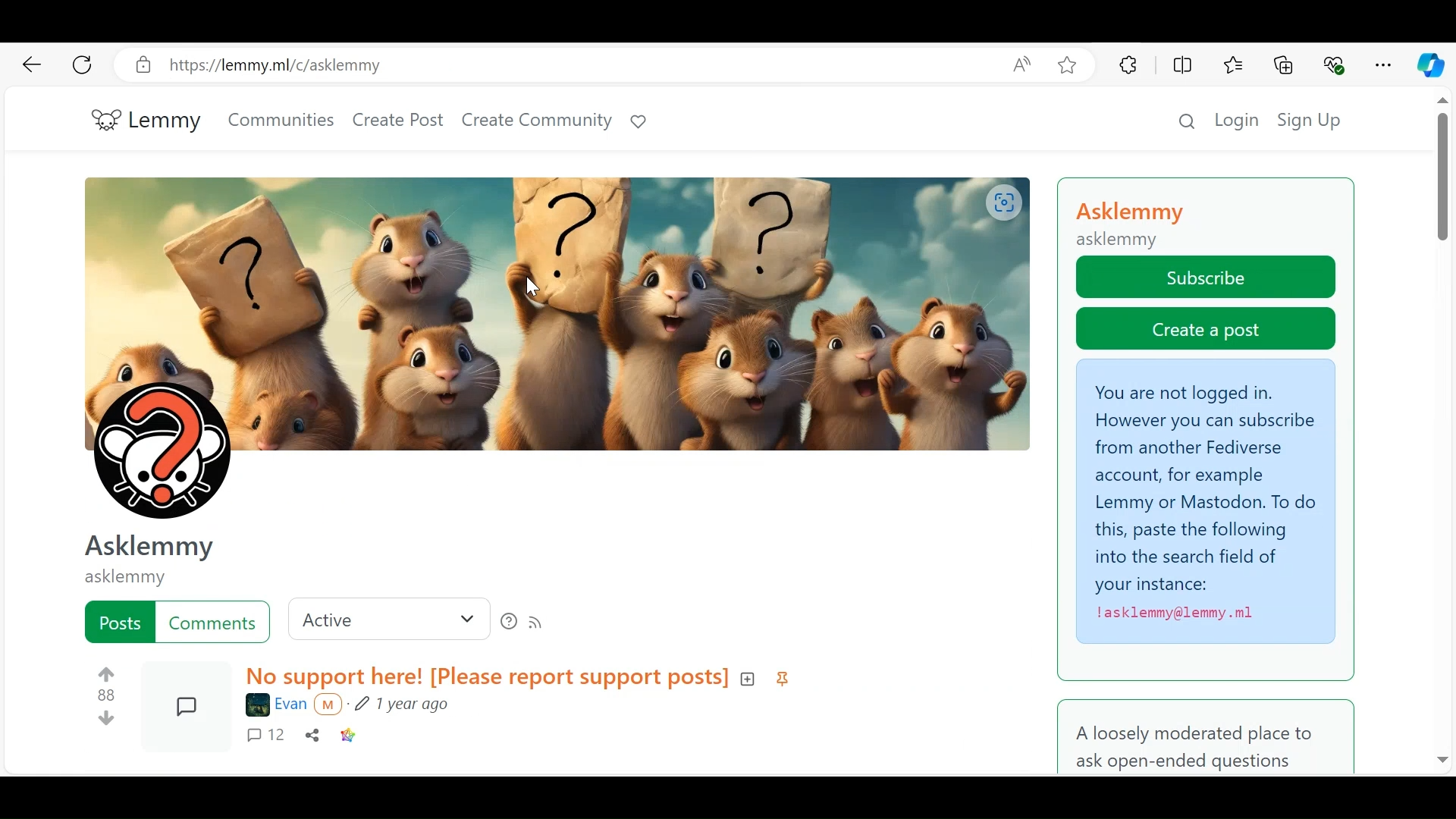 The width and height of the screenshot is (1456, 819). I want to click on username, so click(1121, 241).